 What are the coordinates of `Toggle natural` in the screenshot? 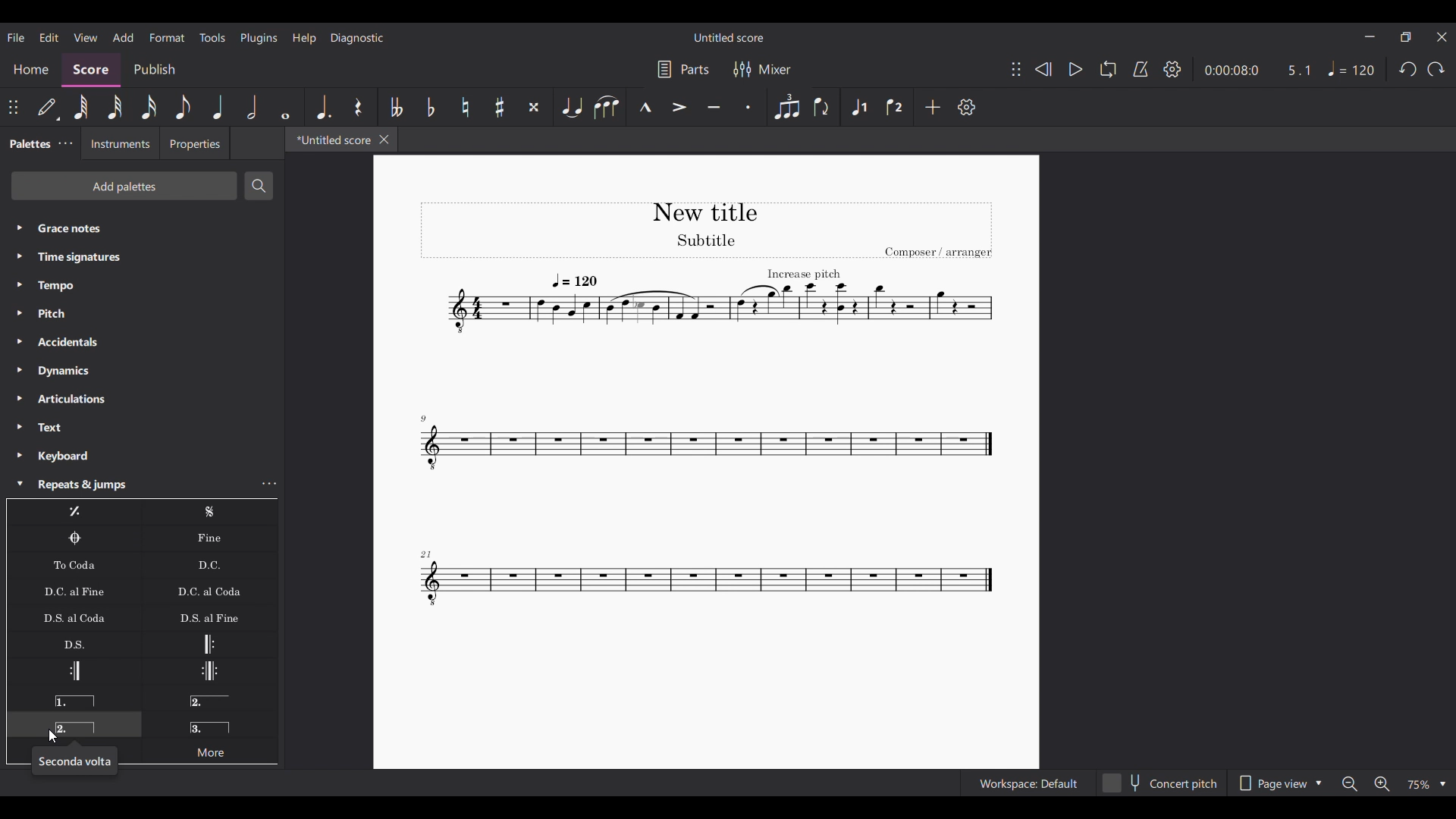 It's located at (465, 107).